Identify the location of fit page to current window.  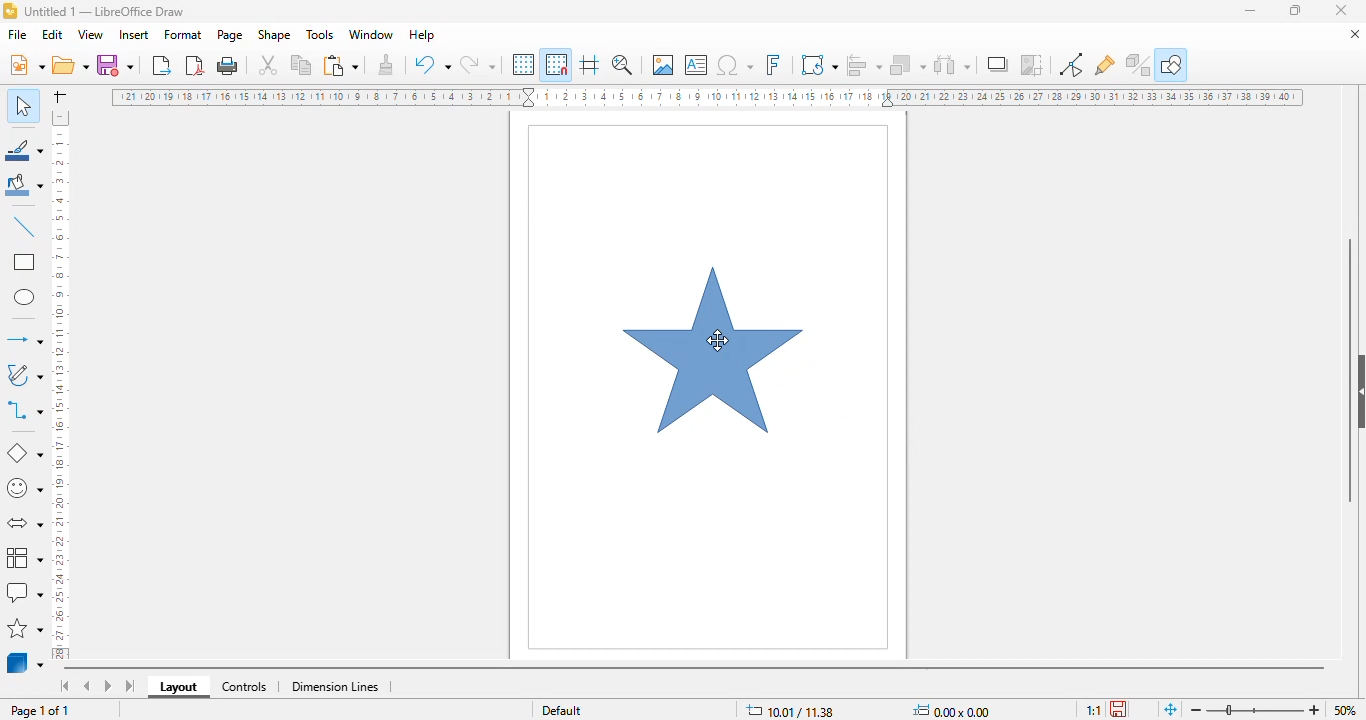
(1171, 709).